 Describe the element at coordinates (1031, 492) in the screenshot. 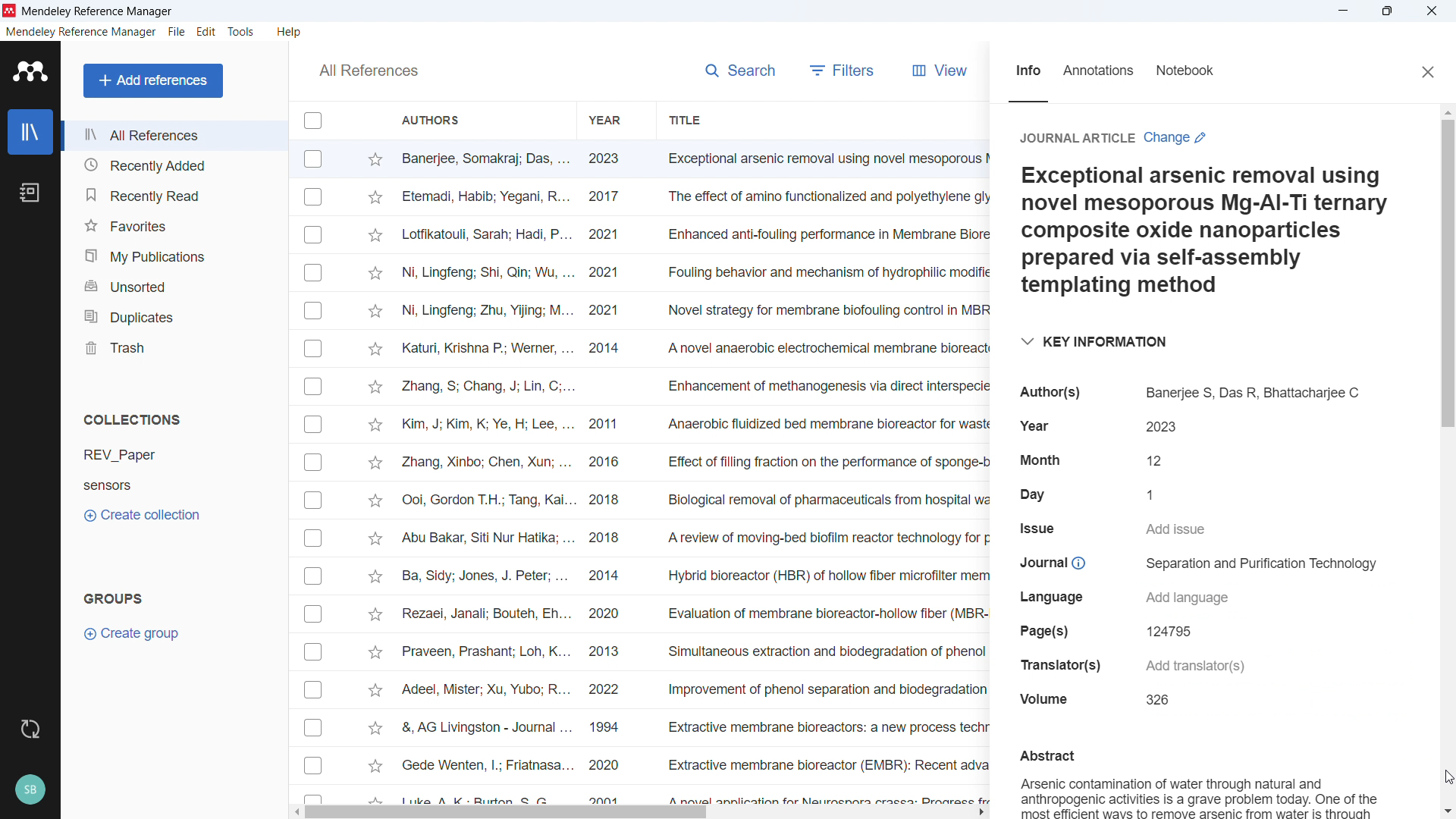

I see `day` at that location.